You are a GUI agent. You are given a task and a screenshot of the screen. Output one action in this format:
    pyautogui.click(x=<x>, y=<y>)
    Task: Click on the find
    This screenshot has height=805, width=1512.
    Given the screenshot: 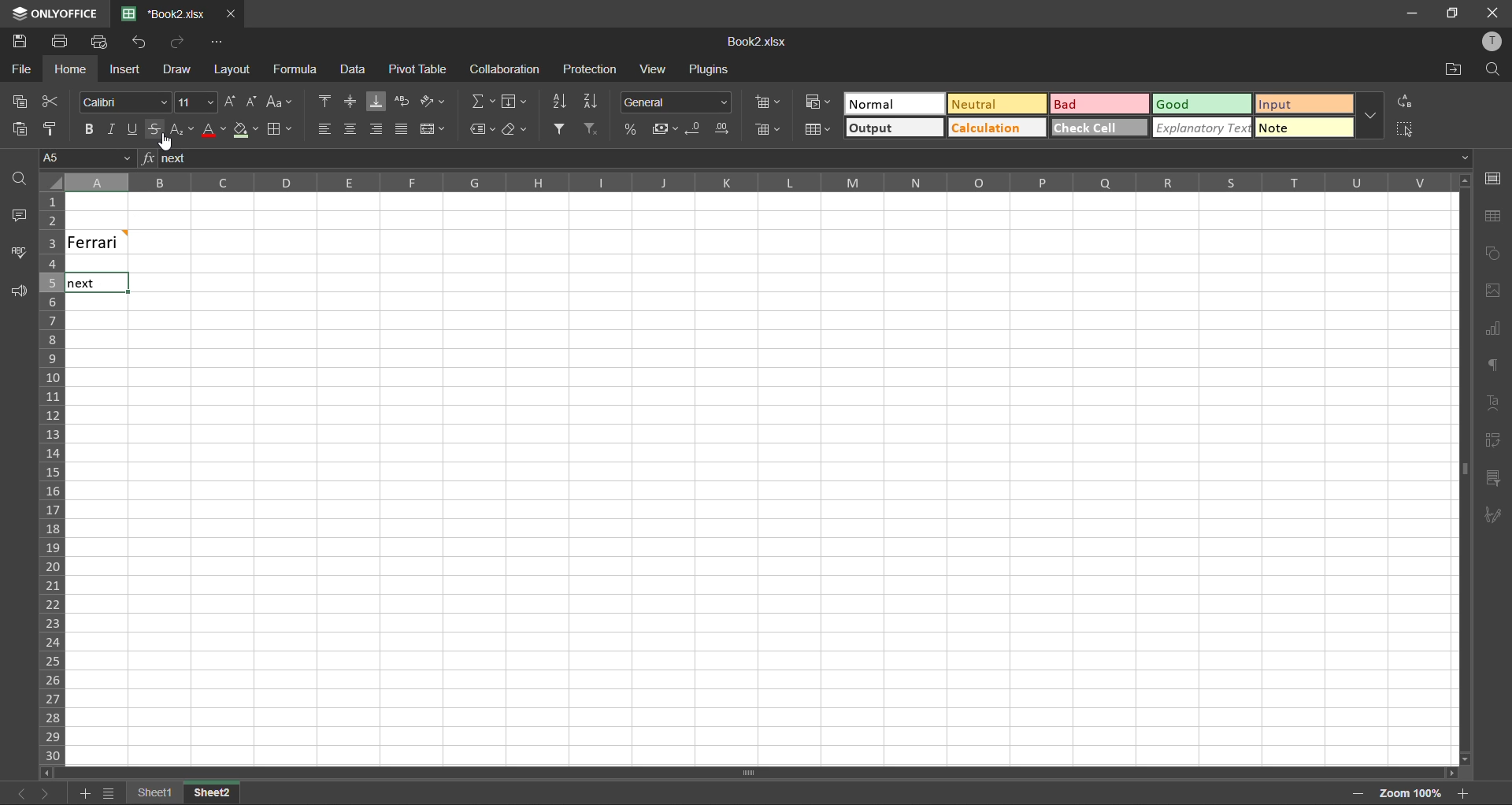 What is the action you would take?
    pyautogui.click(x=1492, y=70)
    